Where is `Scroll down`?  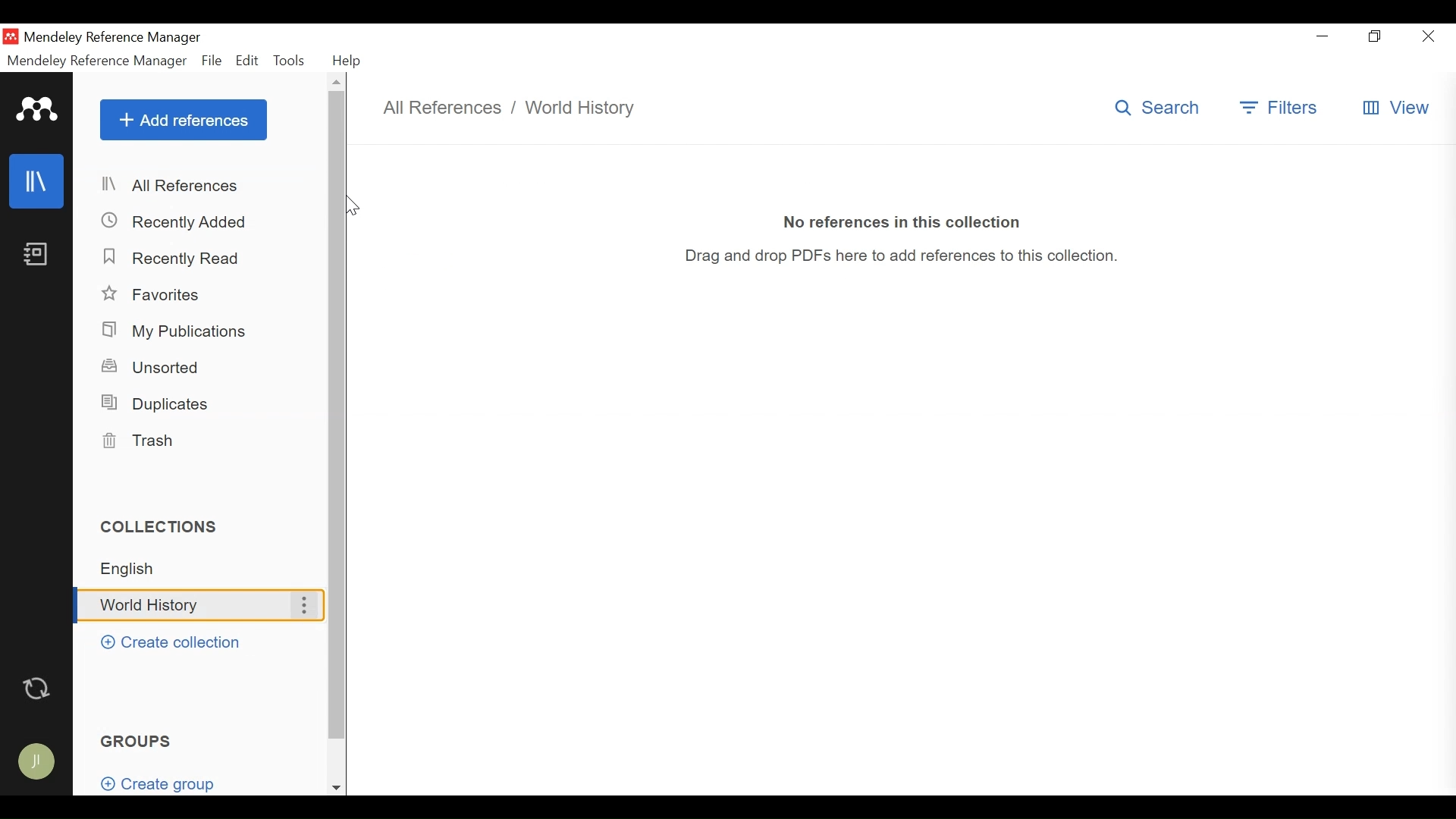 Scroll down is located at coordinates (336, 788).